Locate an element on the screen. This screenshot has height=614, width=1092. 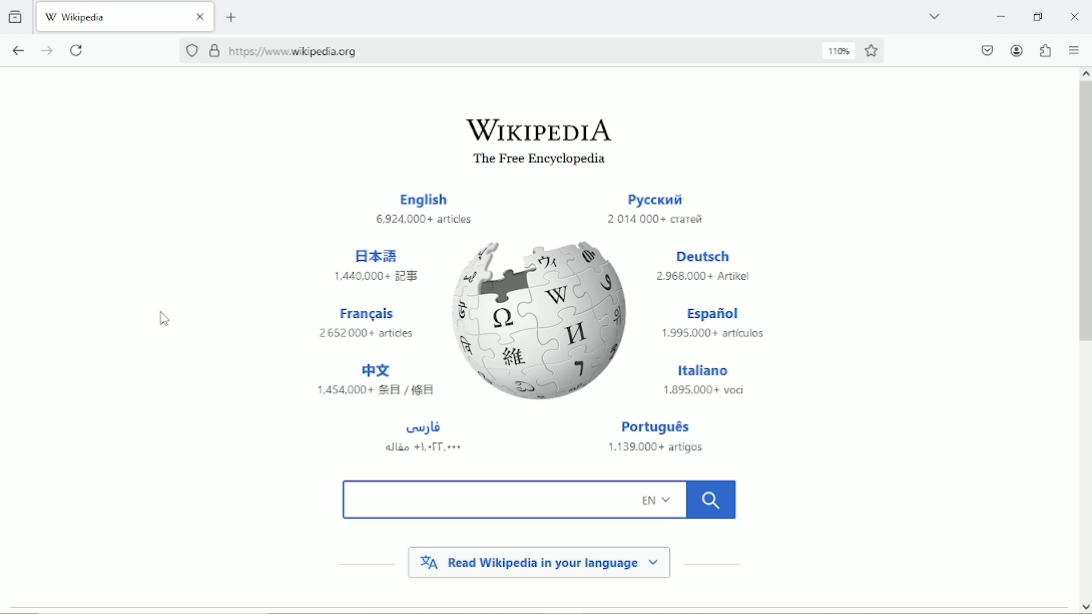
account is located at coordinates (1018, 49).